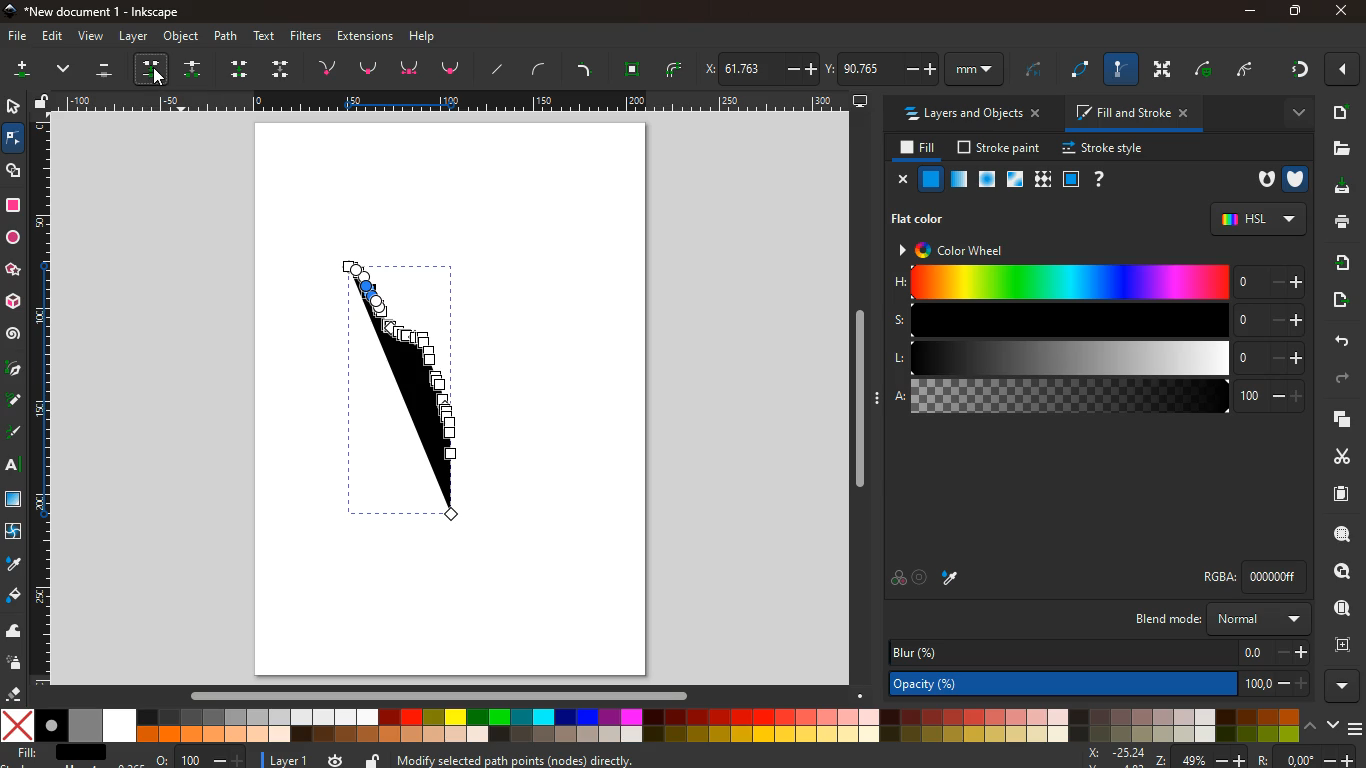 This screenshot has height=768, width=1366. Describe the element at coordinates (931, 179) in the screenshot. I see `normal` at that location.